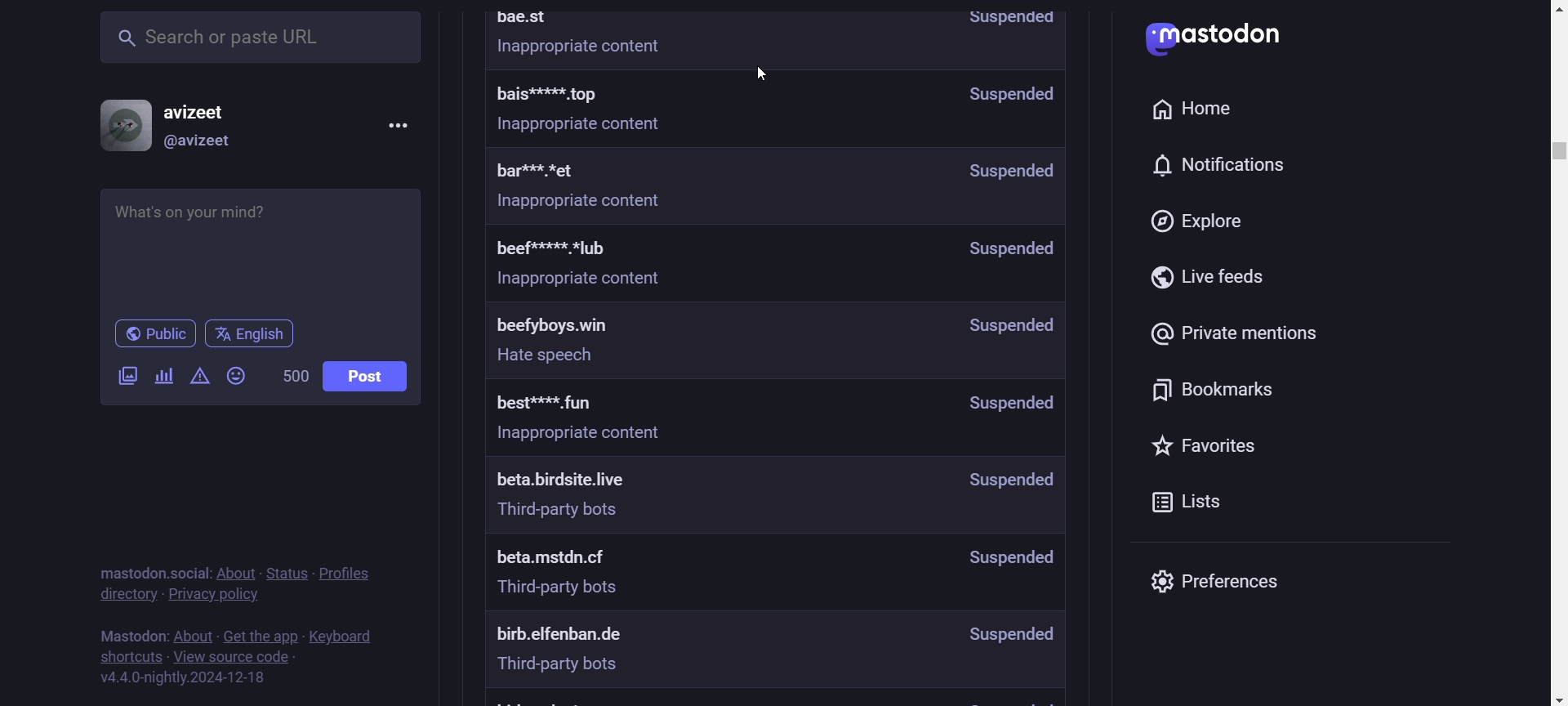  I want to click on status, so click(287, 572).